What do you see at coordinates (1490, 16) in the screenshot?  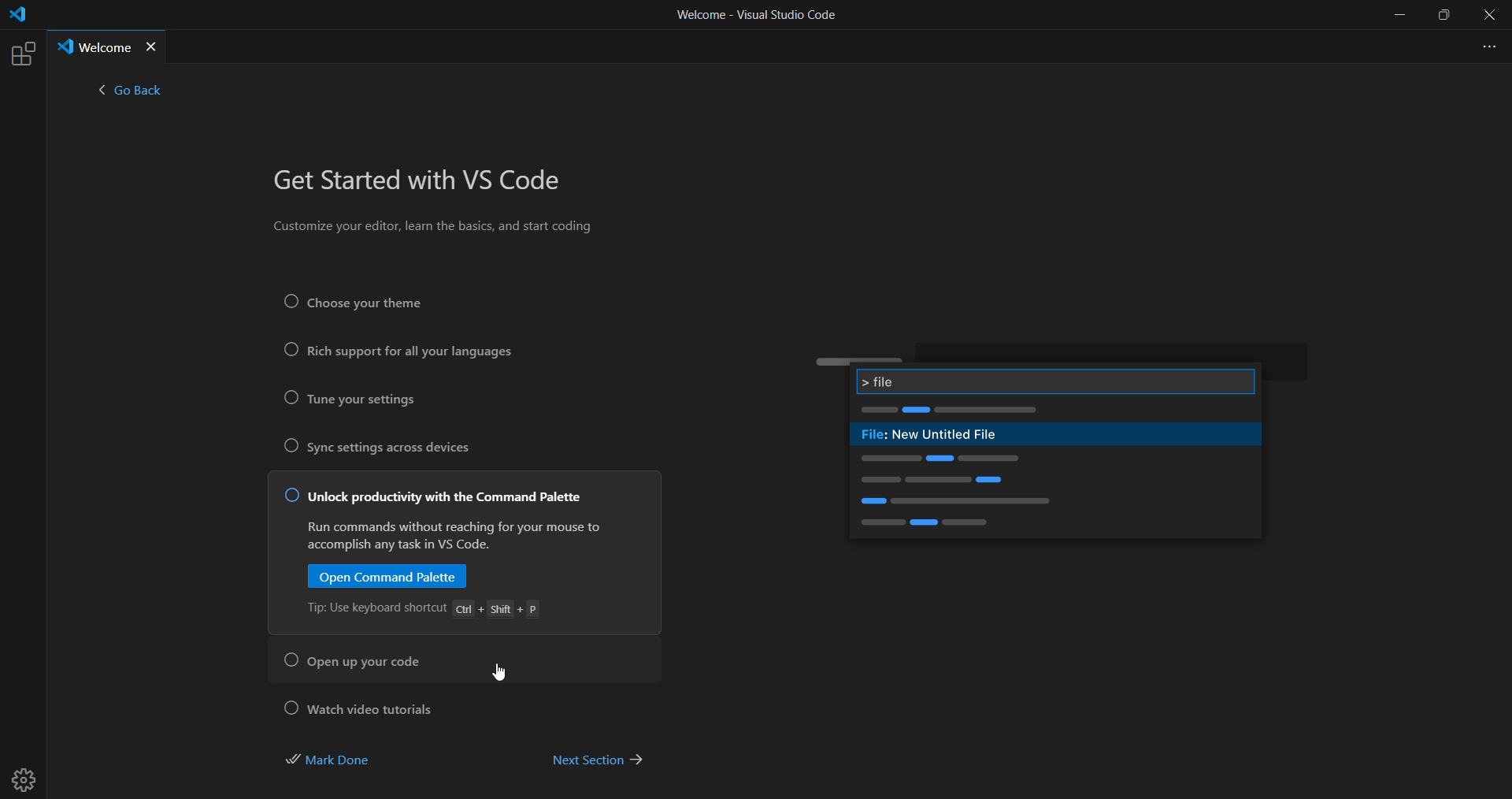 I see `close` at bounding box center [1490, 16].